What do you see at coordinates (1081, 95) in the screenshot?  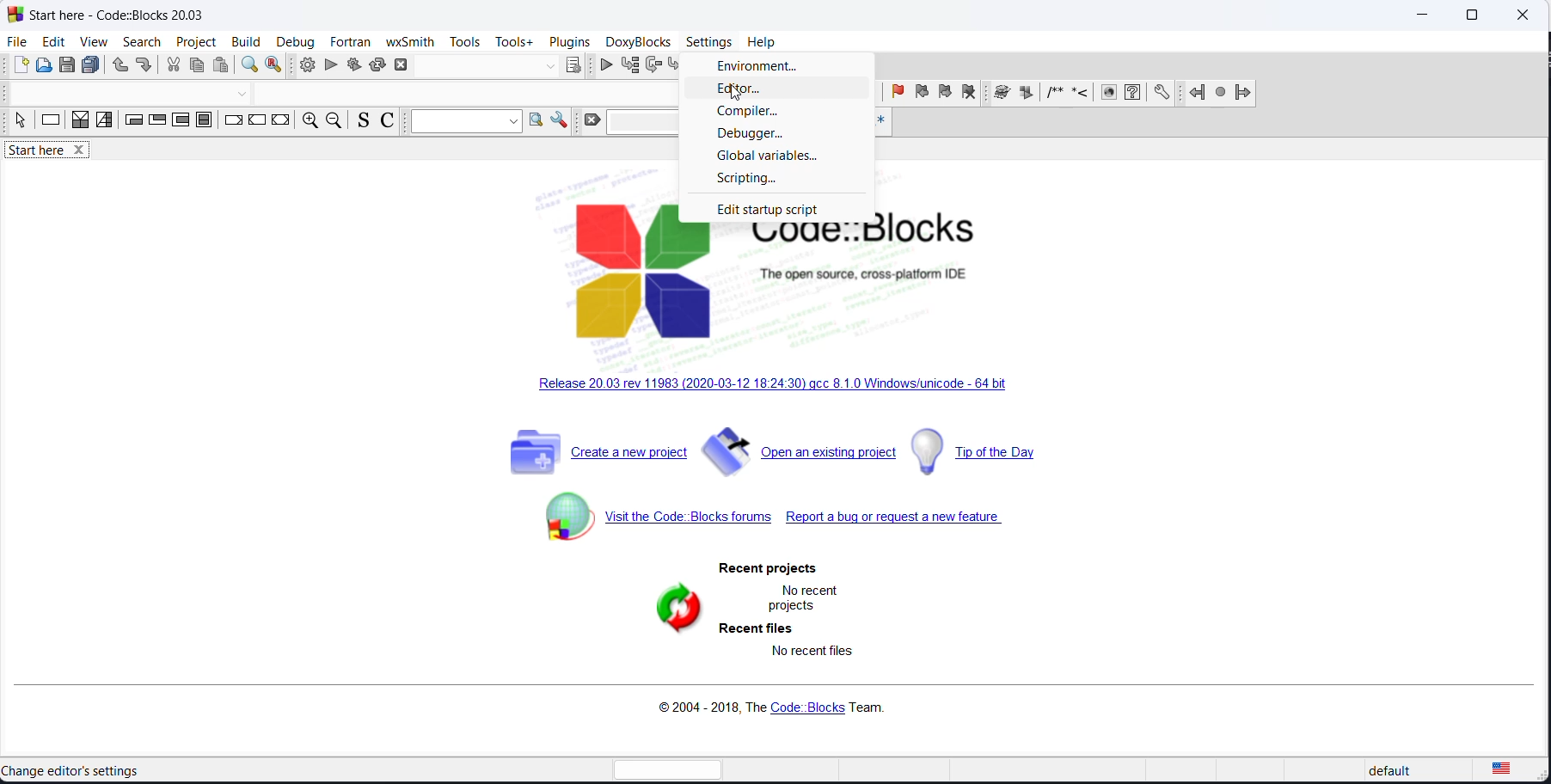 I see `icon` at bounding box center [1081, 95].